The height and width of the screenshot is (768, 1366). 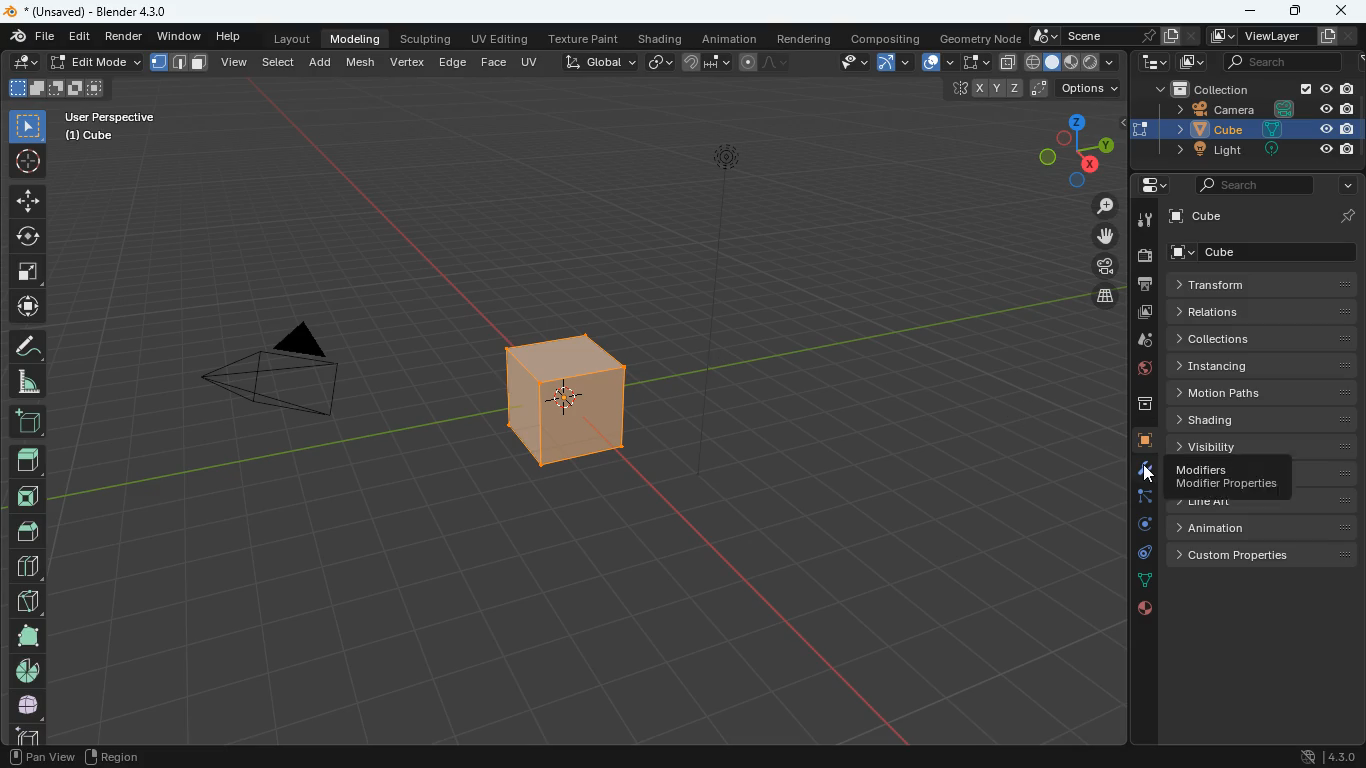 What do you see at coordinates (1250, 110) in the screenshot?
I see `camera` at bounding box center [1250, 110].